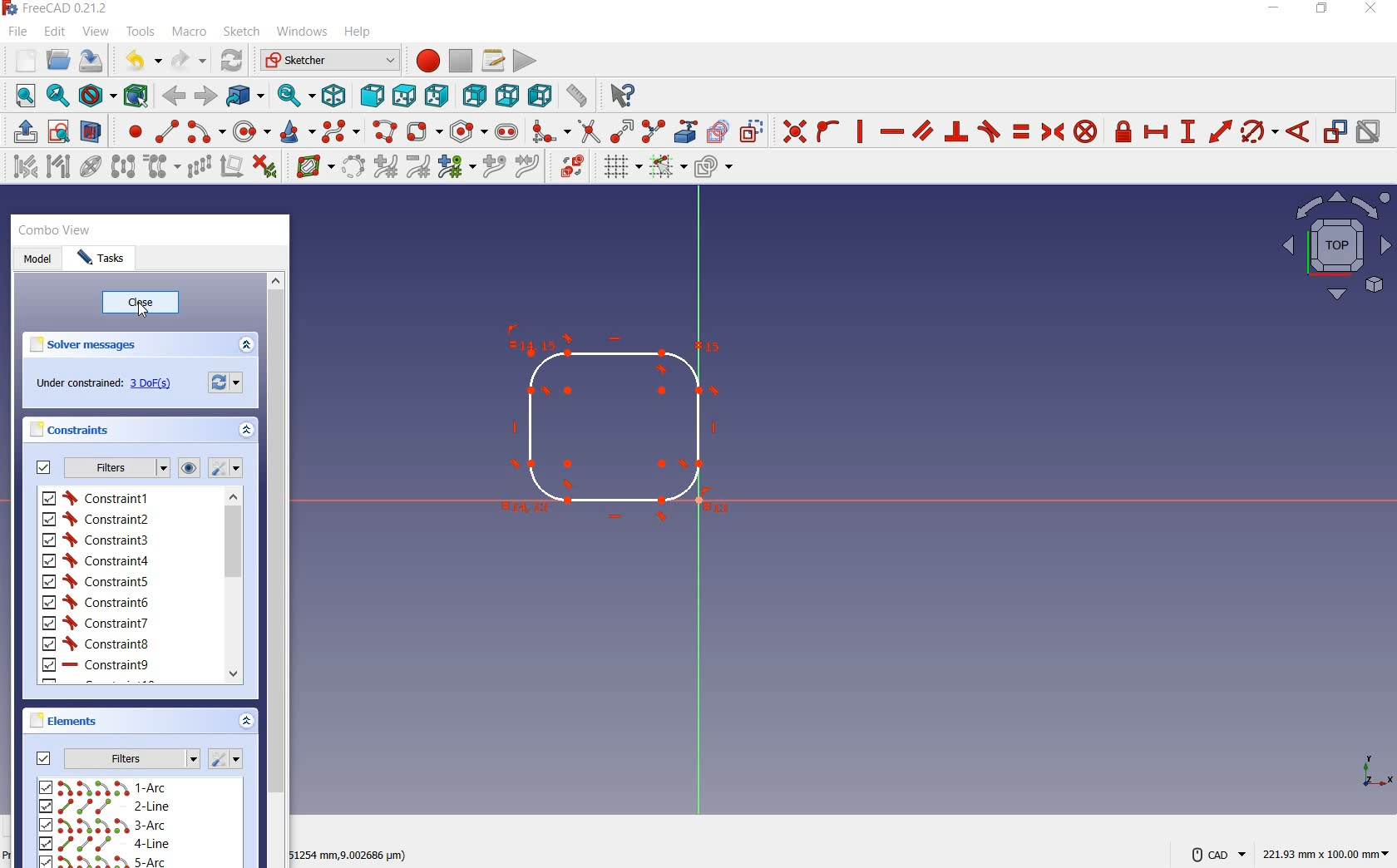 Image resolution: width=1397 pixels, height=868 pixels. I want to click on create slot, so click(507, 133).